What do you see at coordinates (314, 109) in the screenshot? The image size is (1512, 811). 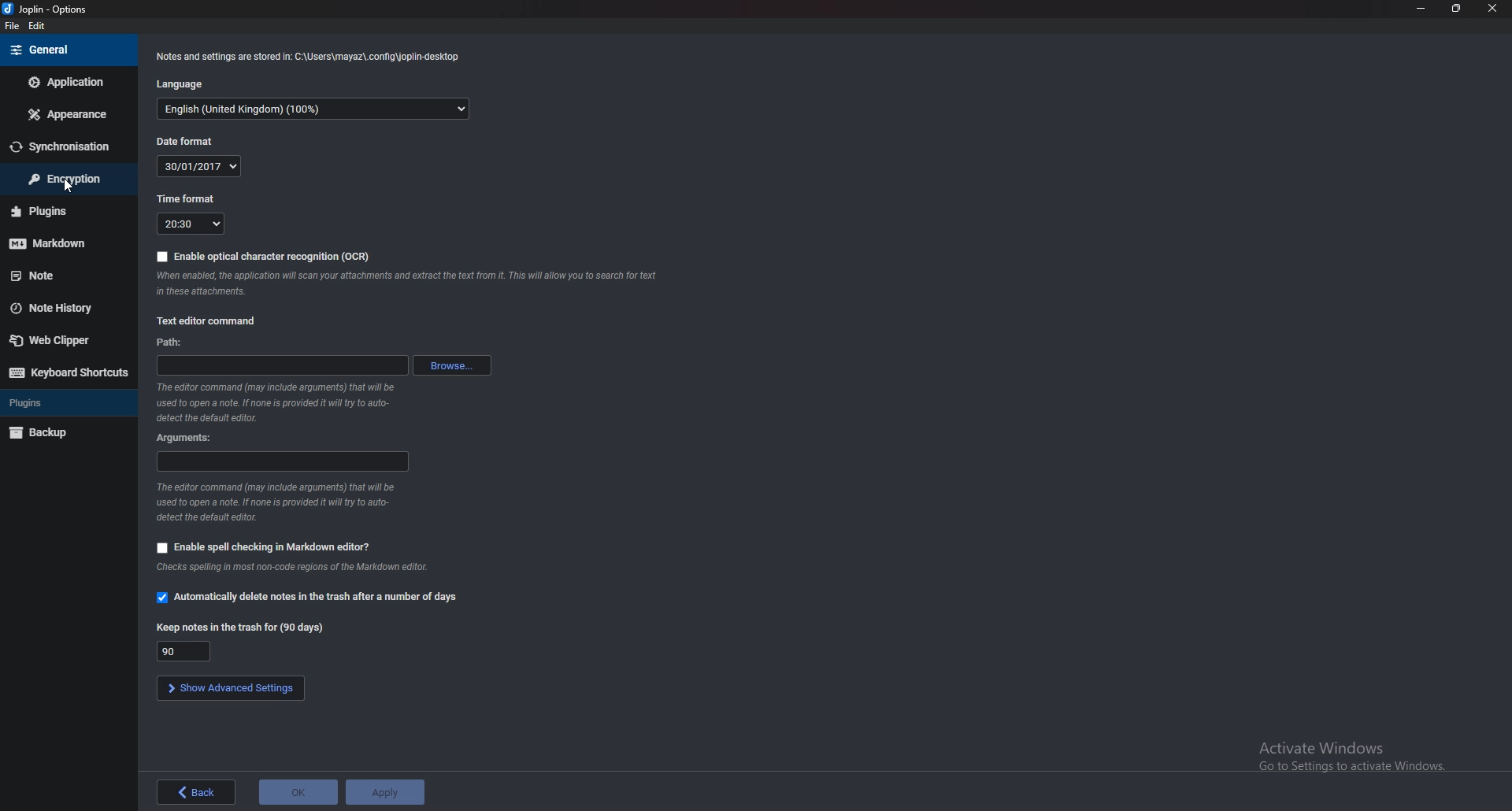 I see `language` at bounding box center [314, 109].